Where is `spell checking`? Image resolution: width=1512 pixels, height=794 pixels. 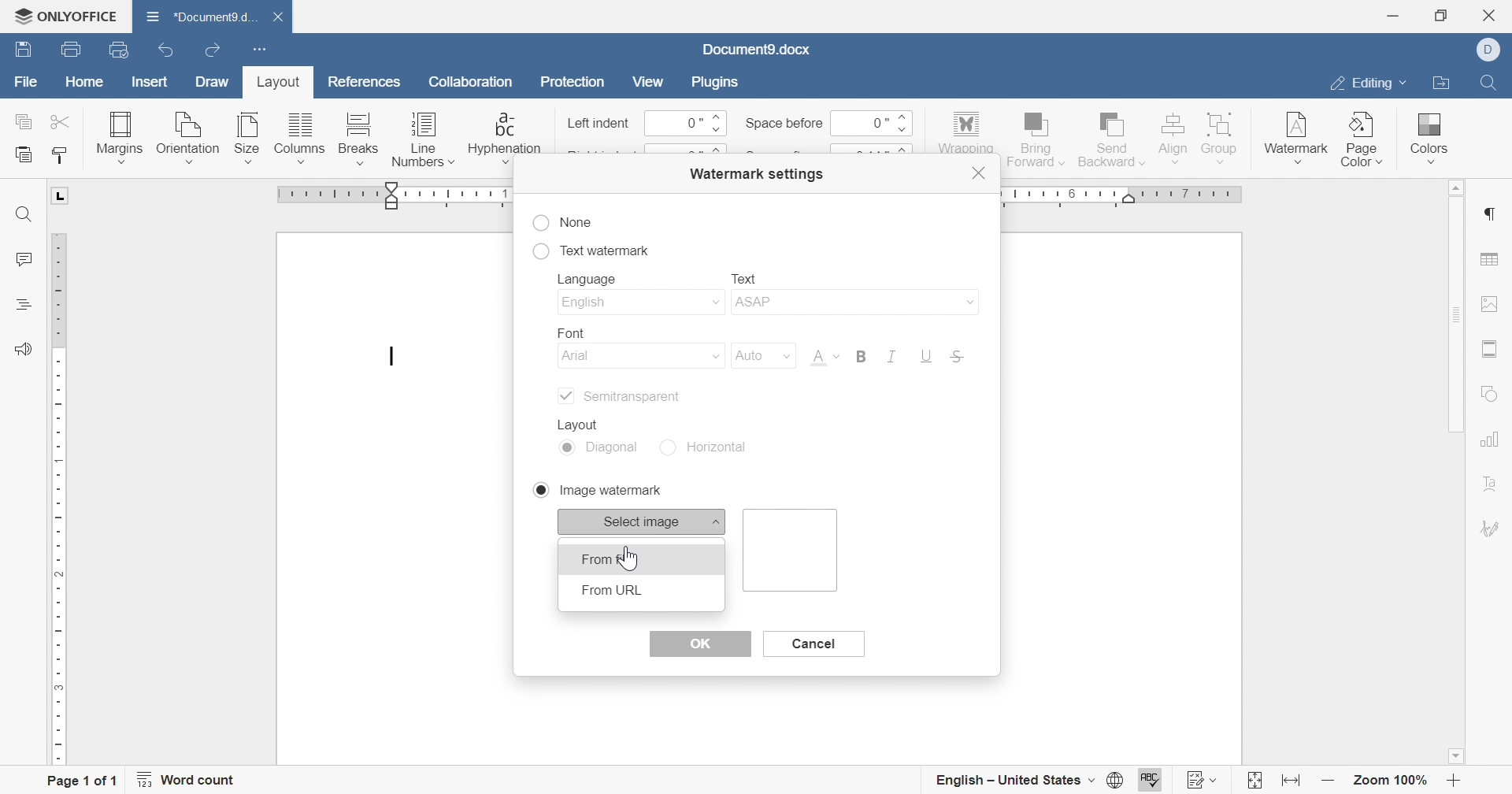
spell checking is located at coordinates (1152, 781).